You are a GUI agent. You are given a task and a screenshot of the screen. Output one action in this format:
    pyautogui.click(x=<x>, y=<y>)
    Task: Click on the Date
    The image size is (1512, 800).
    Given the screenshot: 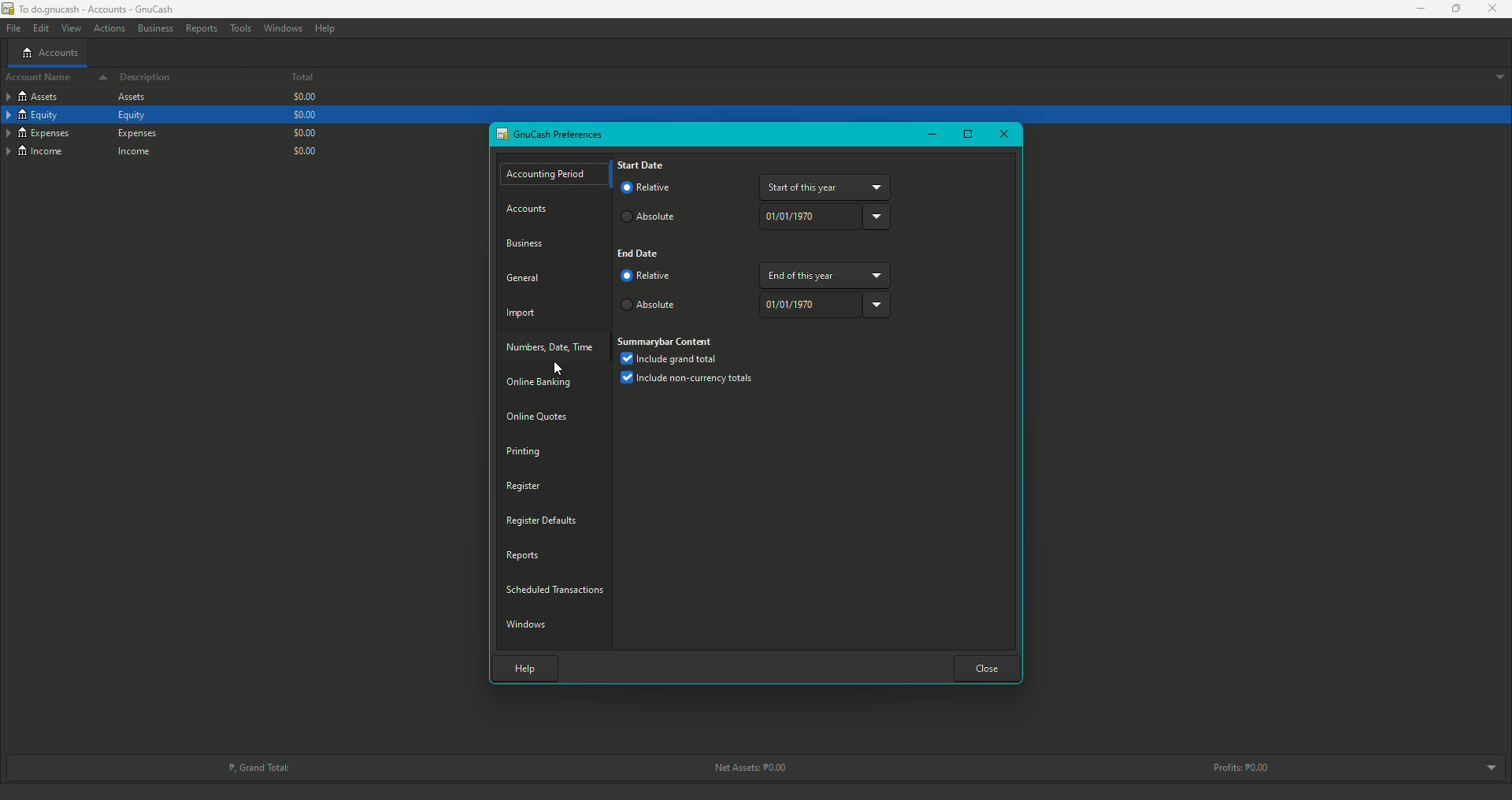 What is the action you would take?
    pyautogui.click(x=825, y=304)
    